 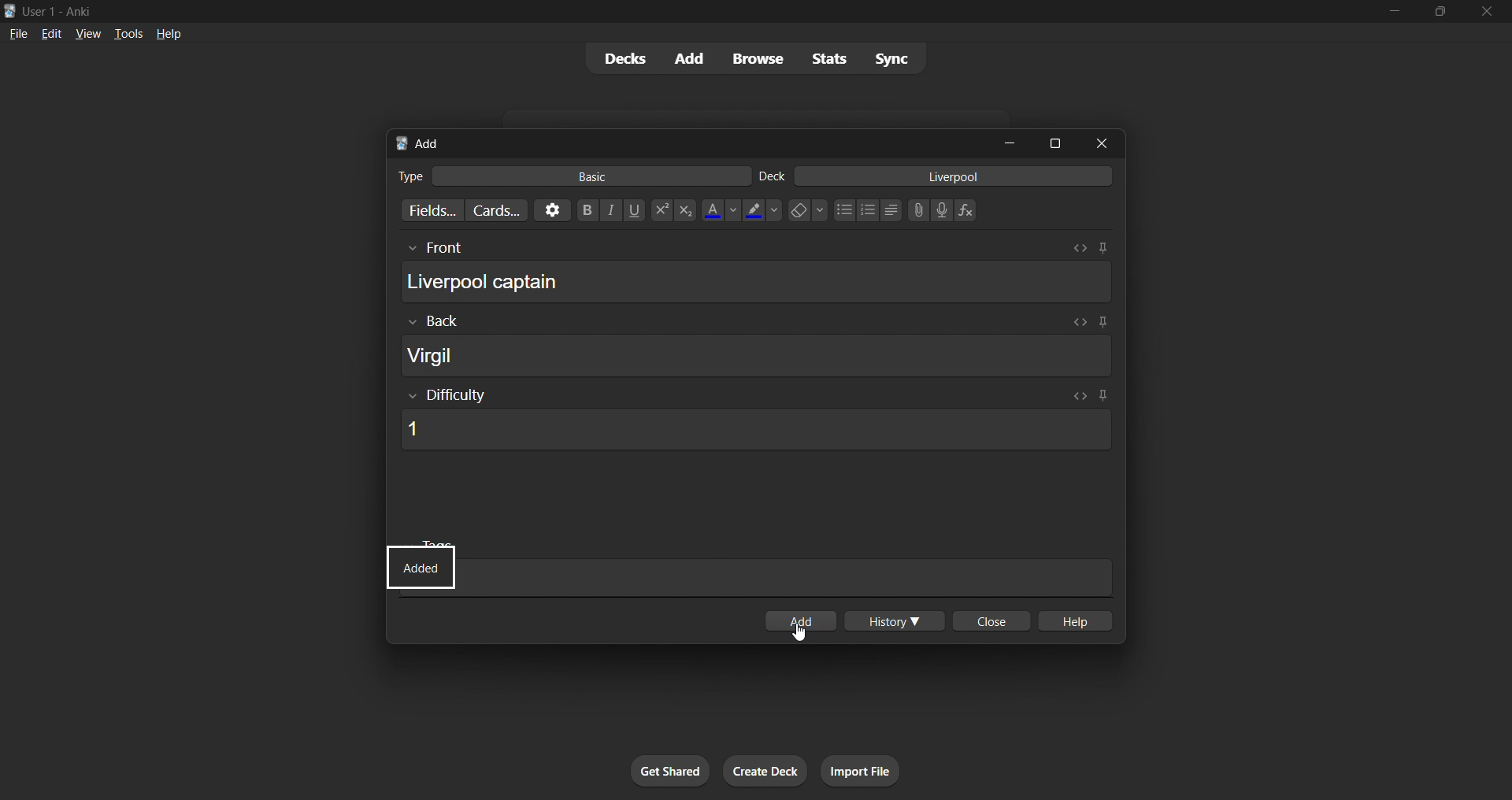 I want to click on Toggle sticky, so click(x=1102, y=397).